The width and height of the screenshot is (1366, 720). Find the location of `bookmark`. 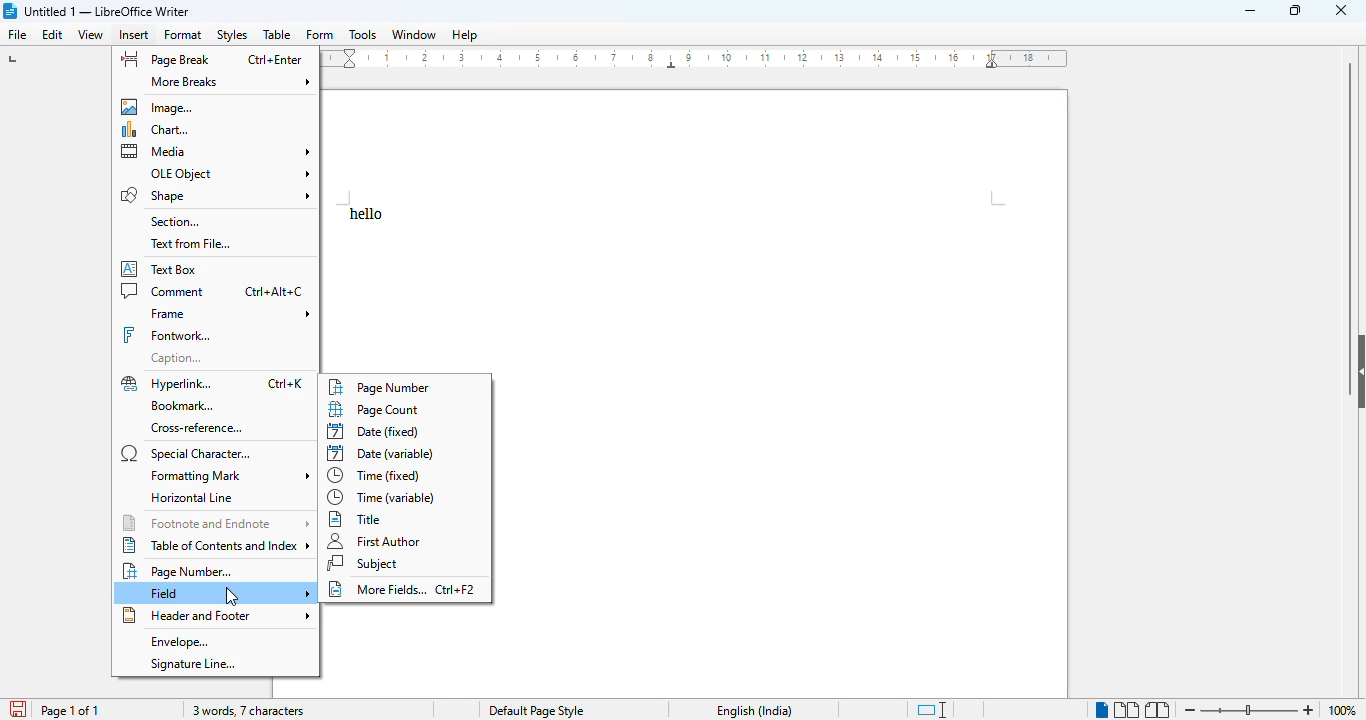

bookmark is located at coordinates (180, 406).